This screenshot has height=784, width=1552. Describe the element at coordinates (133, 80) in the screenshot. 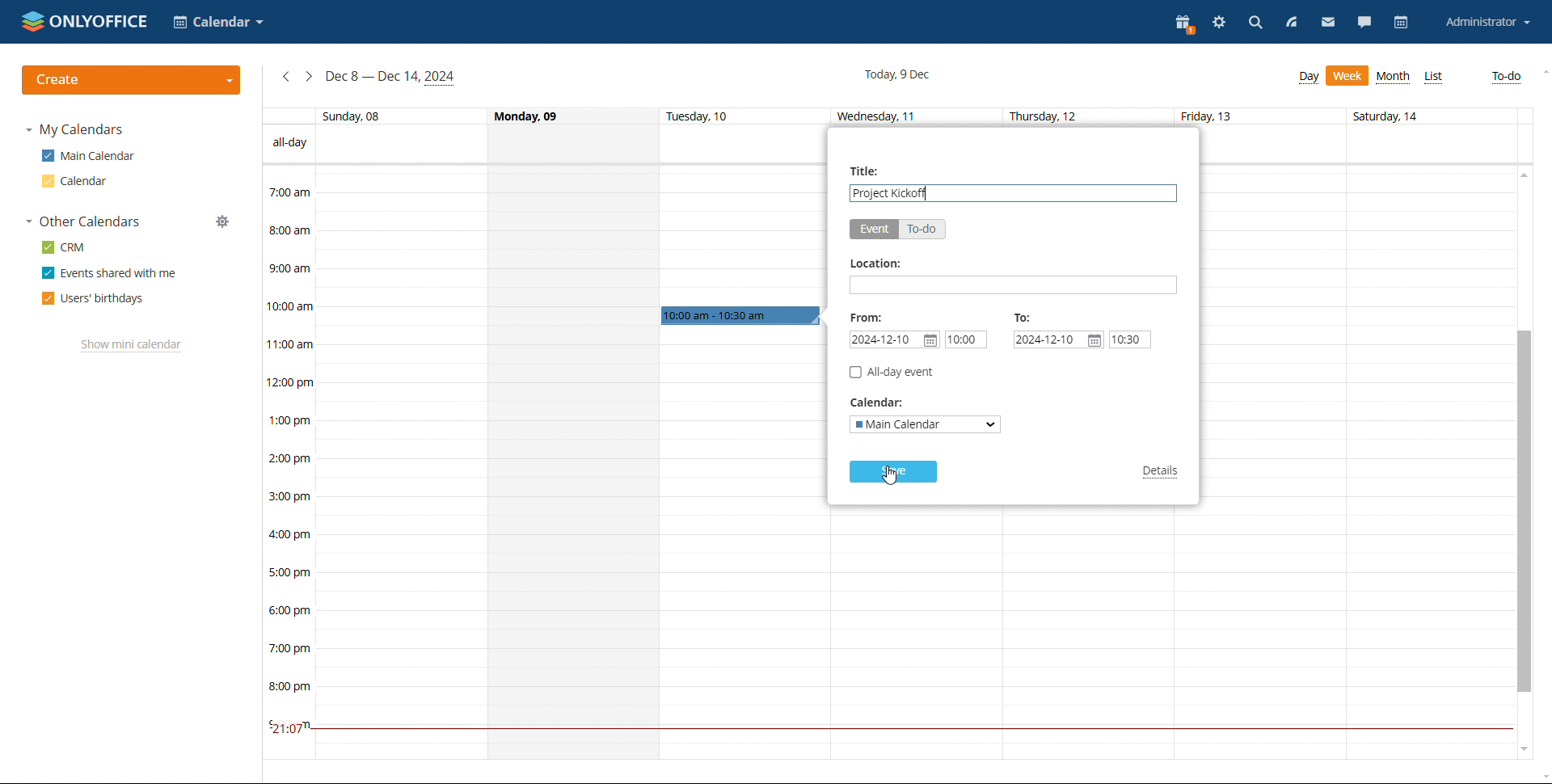

I see `create` at that location.